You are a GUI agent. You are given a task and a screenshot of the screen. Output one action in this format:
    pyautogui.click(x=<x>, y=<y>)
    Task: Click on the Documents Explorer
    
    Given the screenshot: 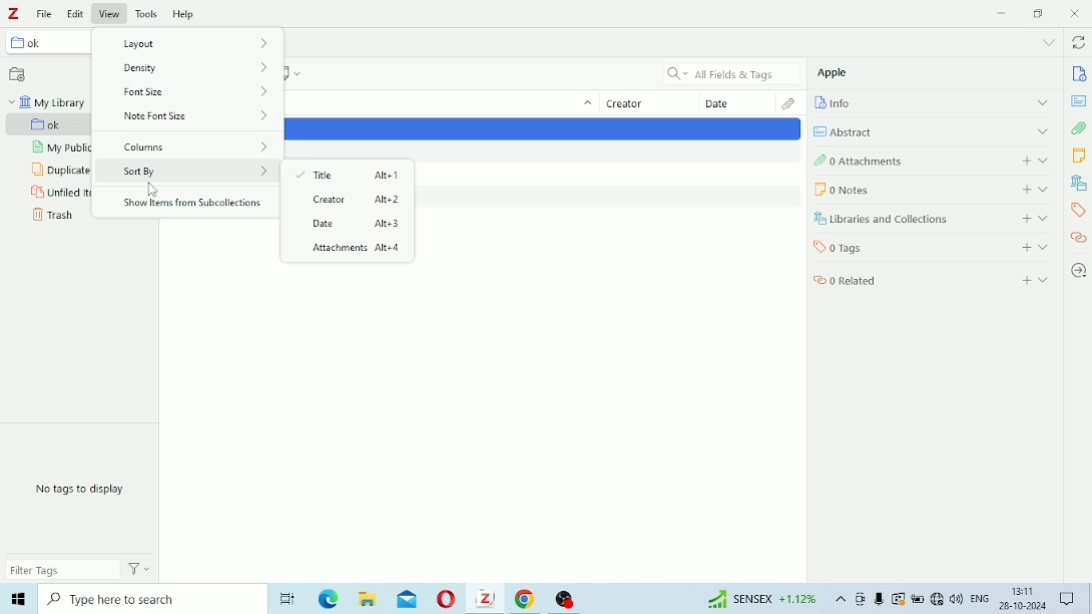 What is the action you would take?
    pyautogui.click(x=367, y=601)
    